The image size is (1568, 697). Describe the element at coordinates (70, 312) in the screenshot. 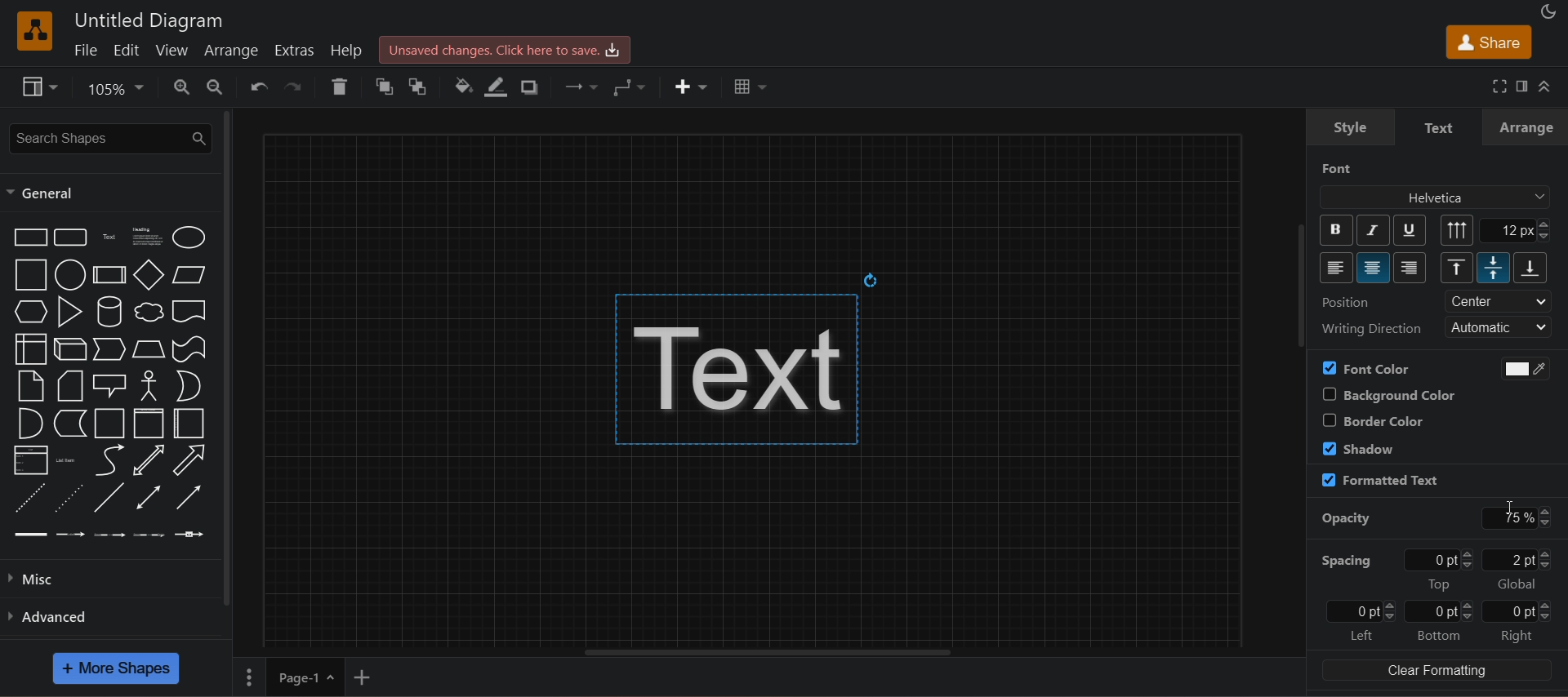

I see `triangle` at that location.